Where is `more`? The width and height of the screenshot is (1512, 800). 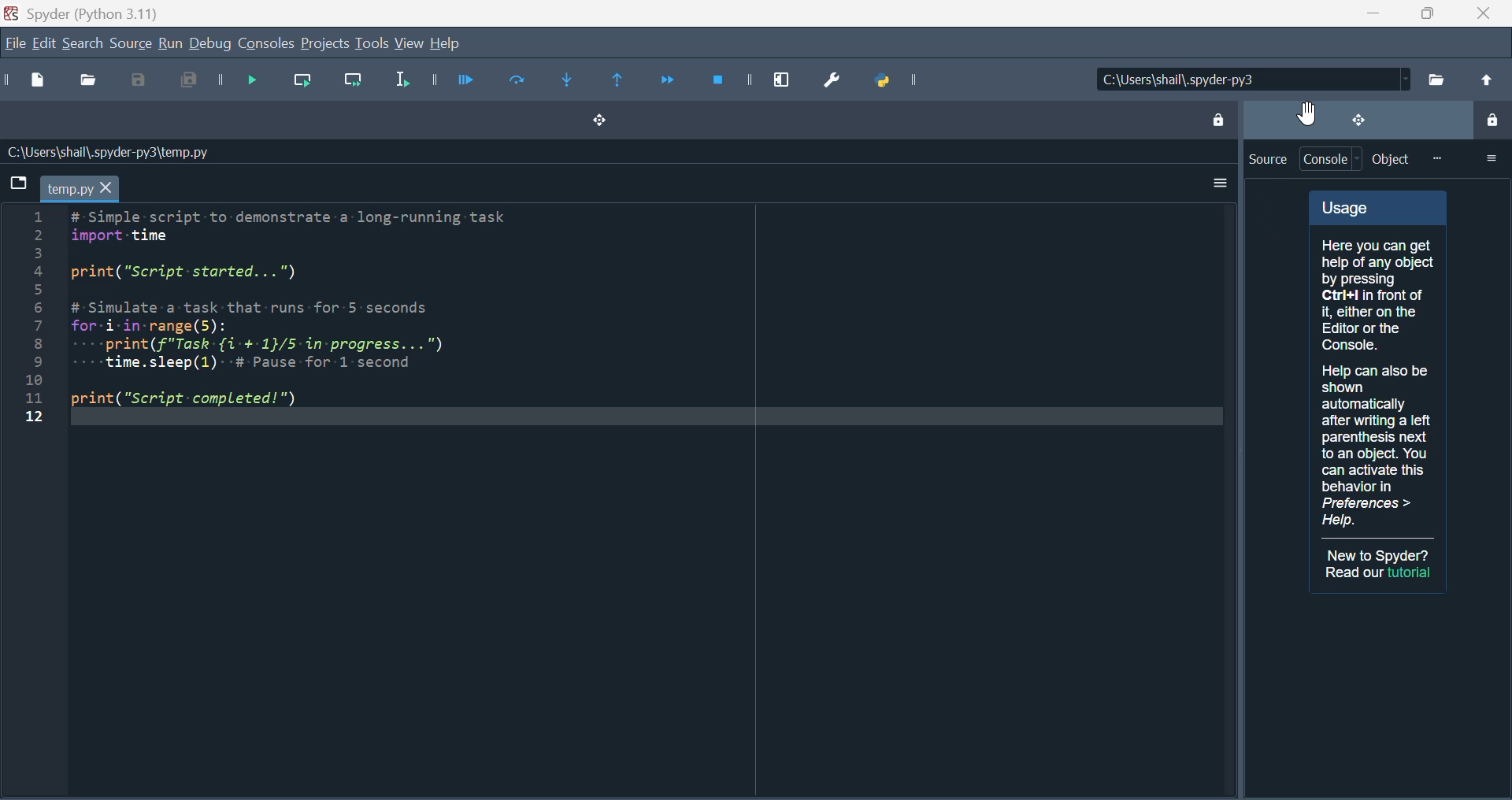
more is located at coordinates (1436, 158).